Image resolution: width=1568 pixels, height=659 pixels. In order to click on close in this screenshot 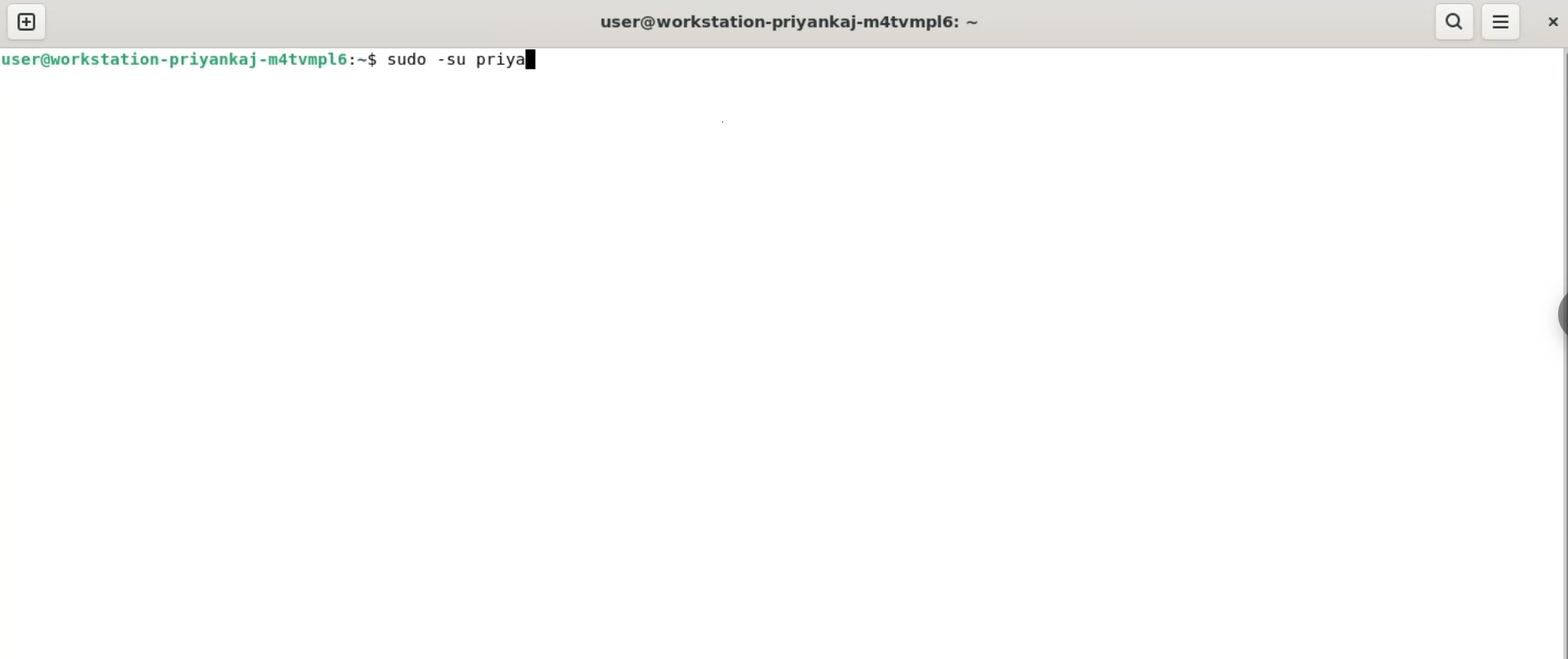, I will do `click(1553, 24)`.